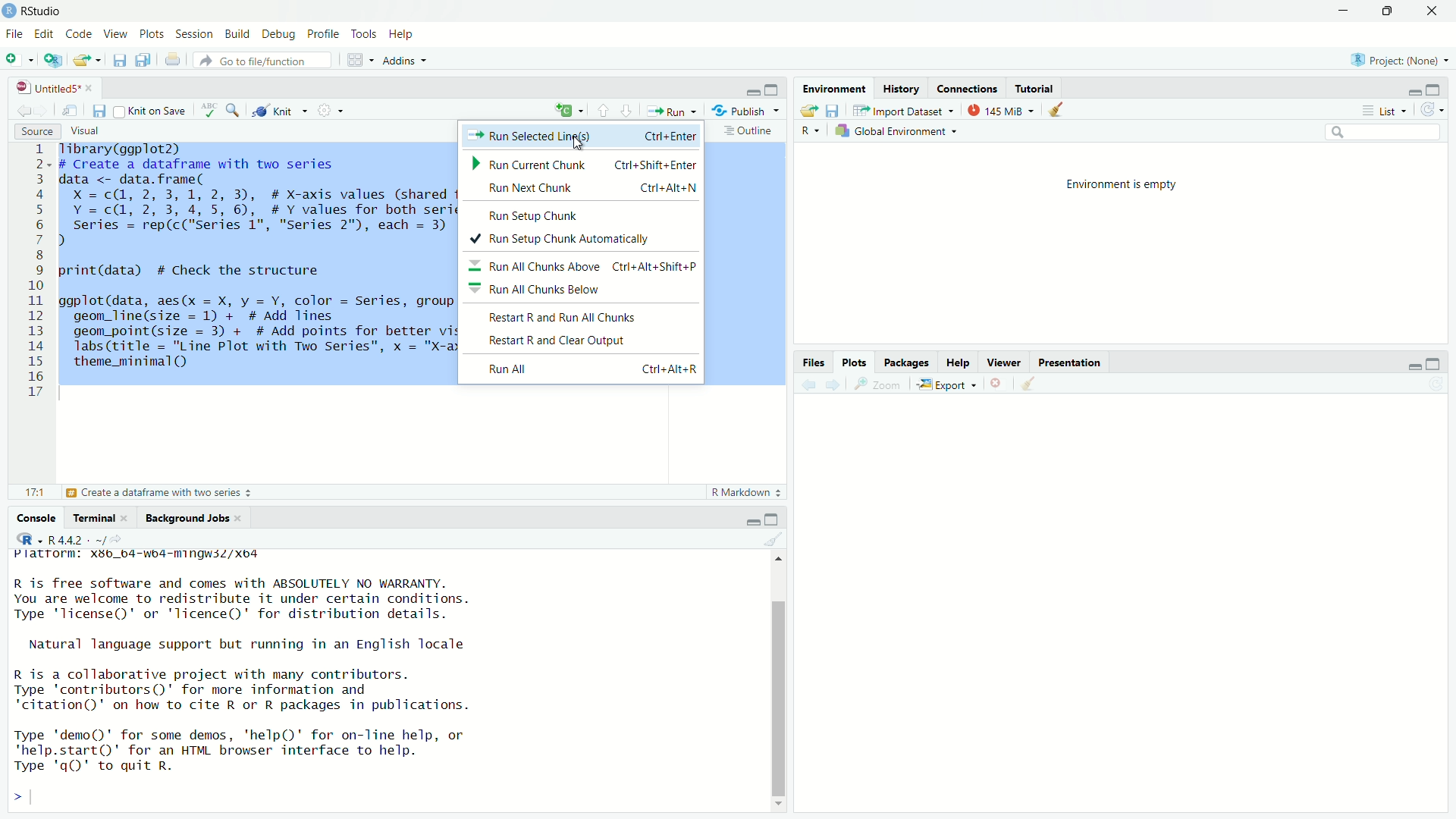  What do you see at coordinates (1432, 111) in the screenshot?
I see `Refresh the list of object in the Environment` at bounding box center [1432, 111].